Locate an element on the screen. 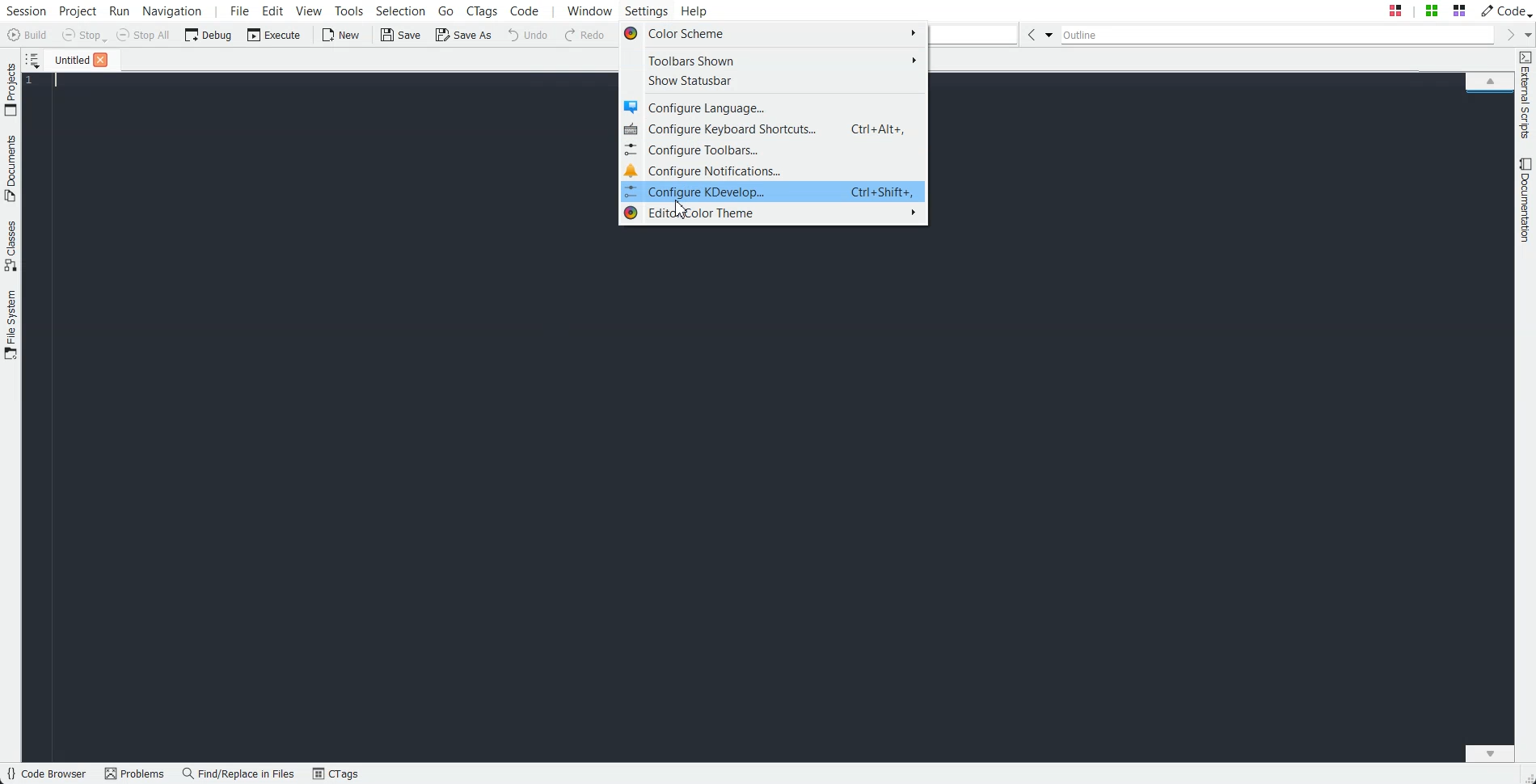 The height and width of the screenshot is (784, 1536). Undo is located at coordinates (528, 34).